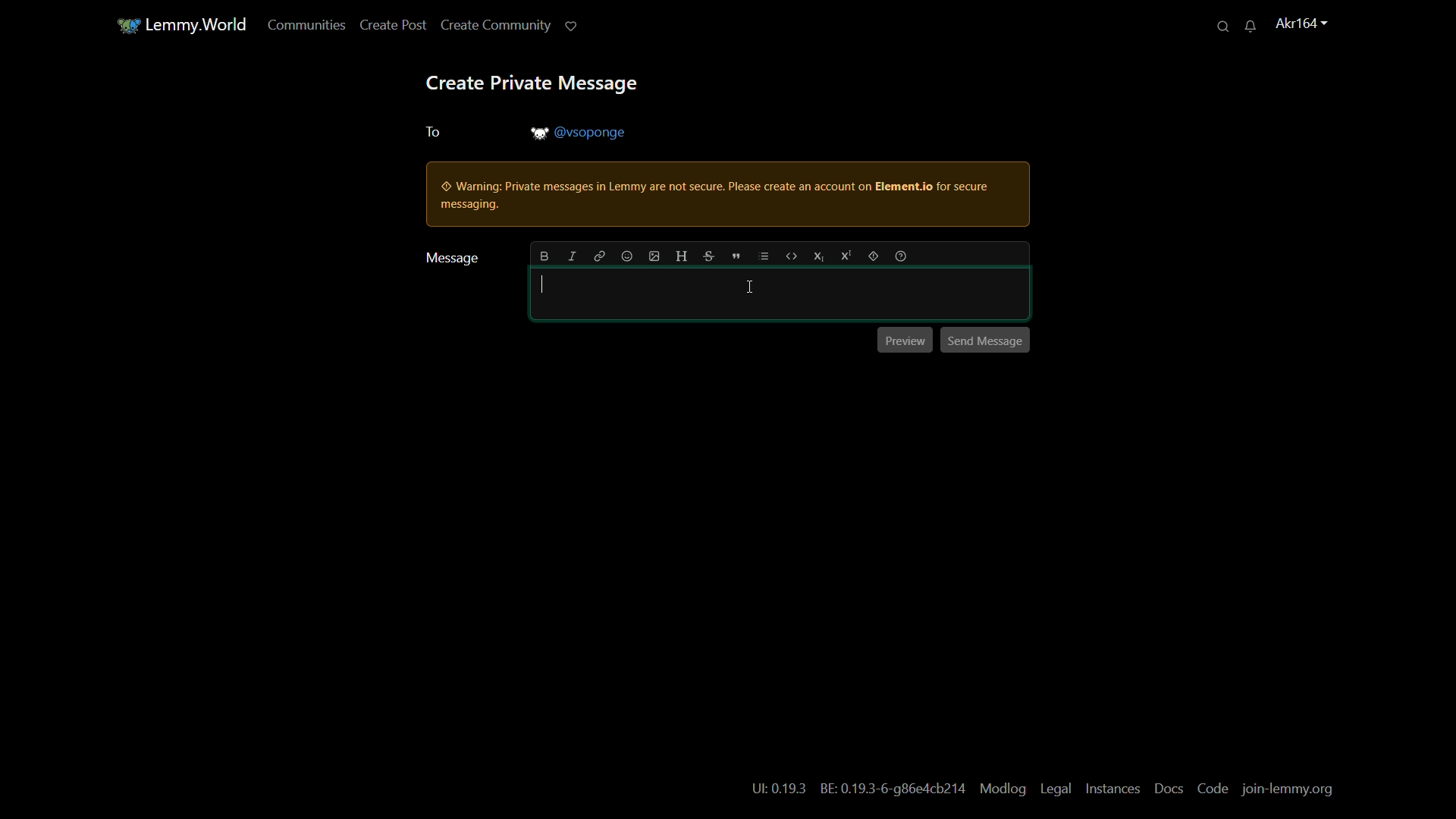  Describe the element at coordinates (1294, 24) in the screenshot. I see `username` at that location.